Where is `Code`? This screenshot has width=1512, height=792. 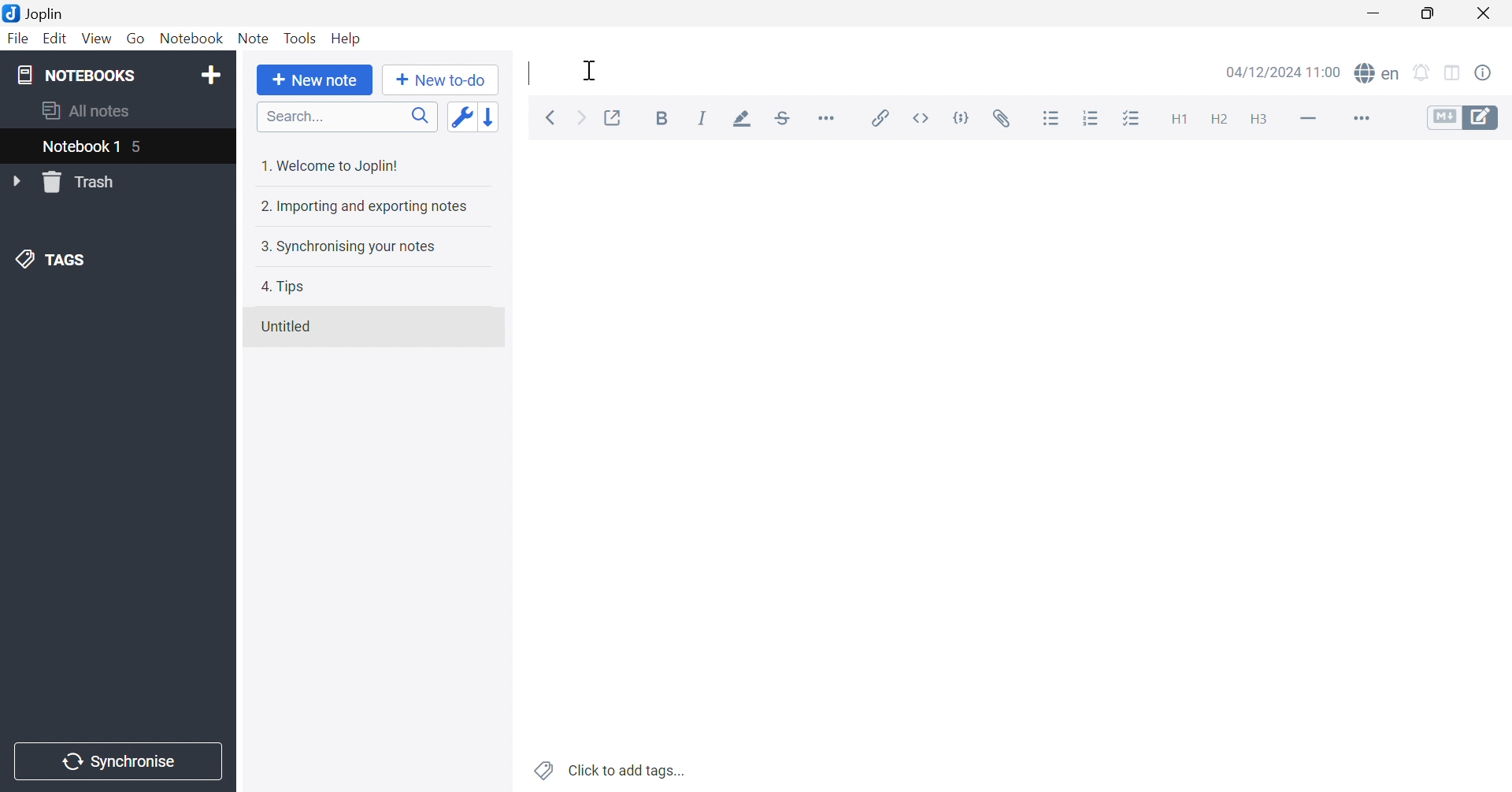
Code is located at coordinates (965, 117).